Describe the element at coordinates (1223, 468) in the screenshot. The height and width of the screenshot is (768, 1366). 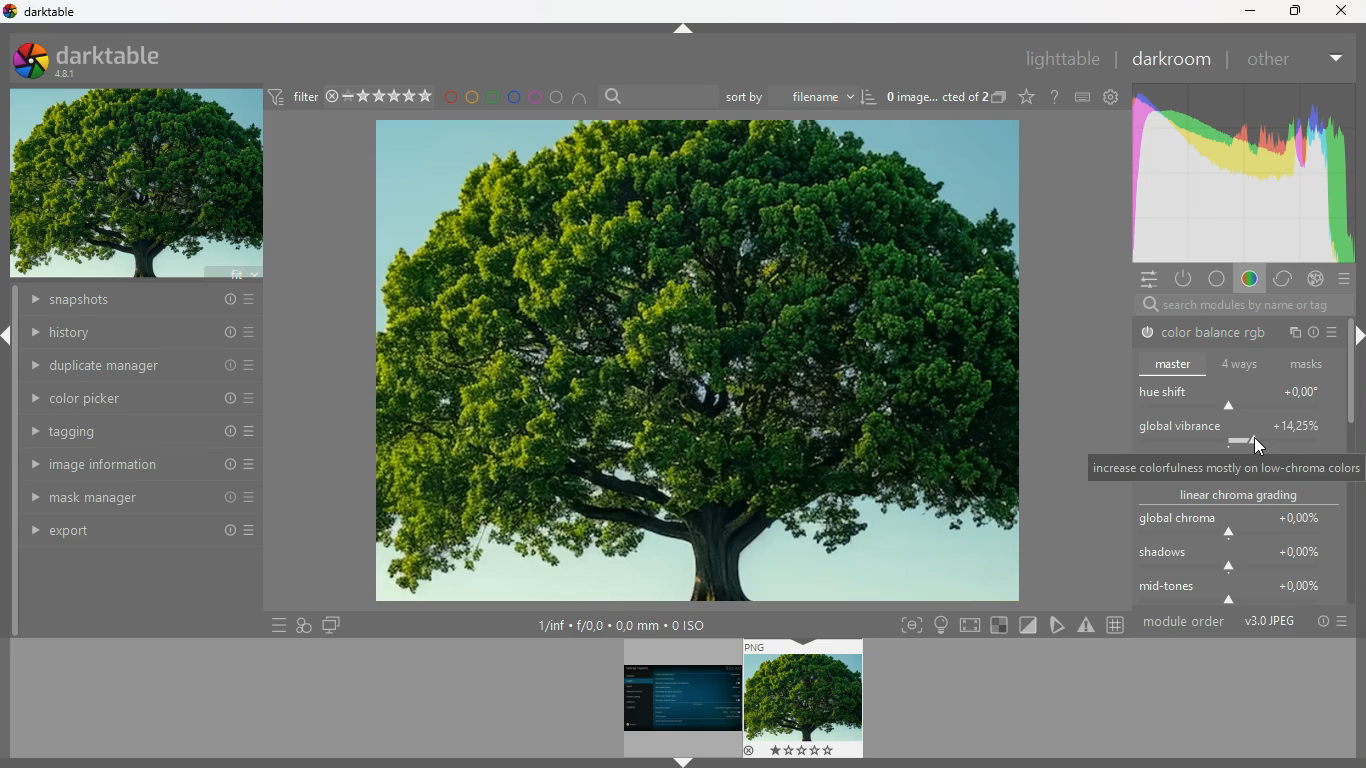
I see `message` at that location.